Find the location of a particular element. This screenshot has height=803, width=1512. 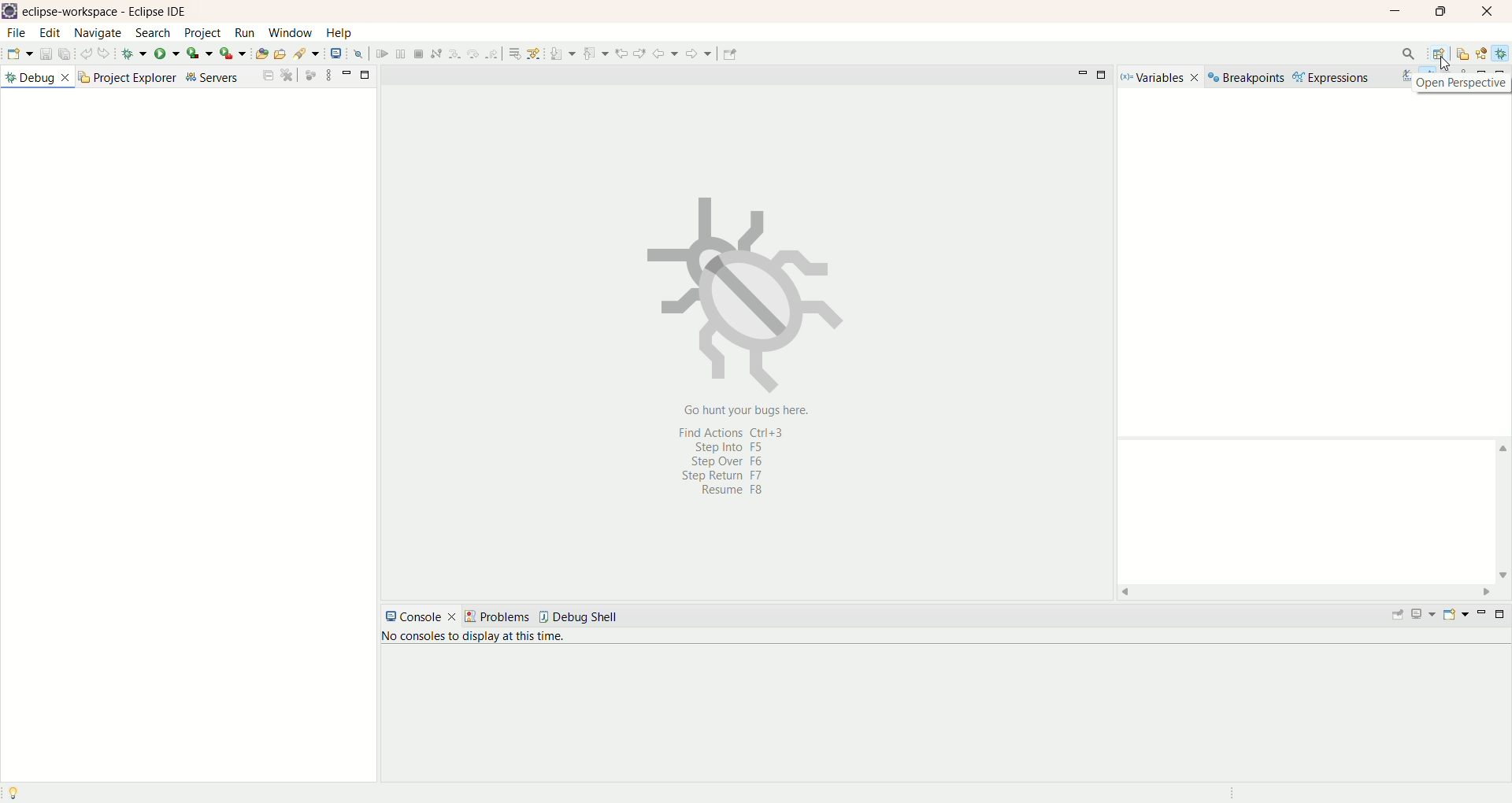

servers is located at coordinates (217, 77).